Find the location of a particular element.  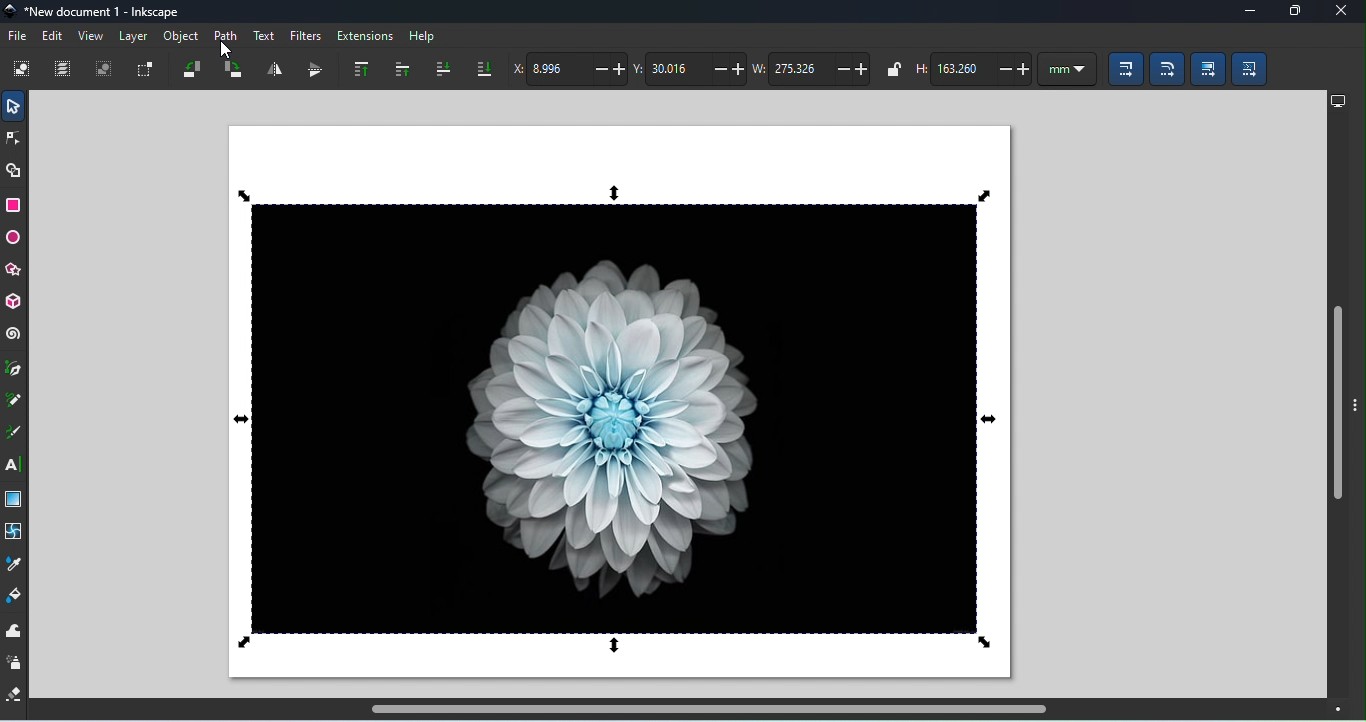

Units is located at coordinates (1066, 70).